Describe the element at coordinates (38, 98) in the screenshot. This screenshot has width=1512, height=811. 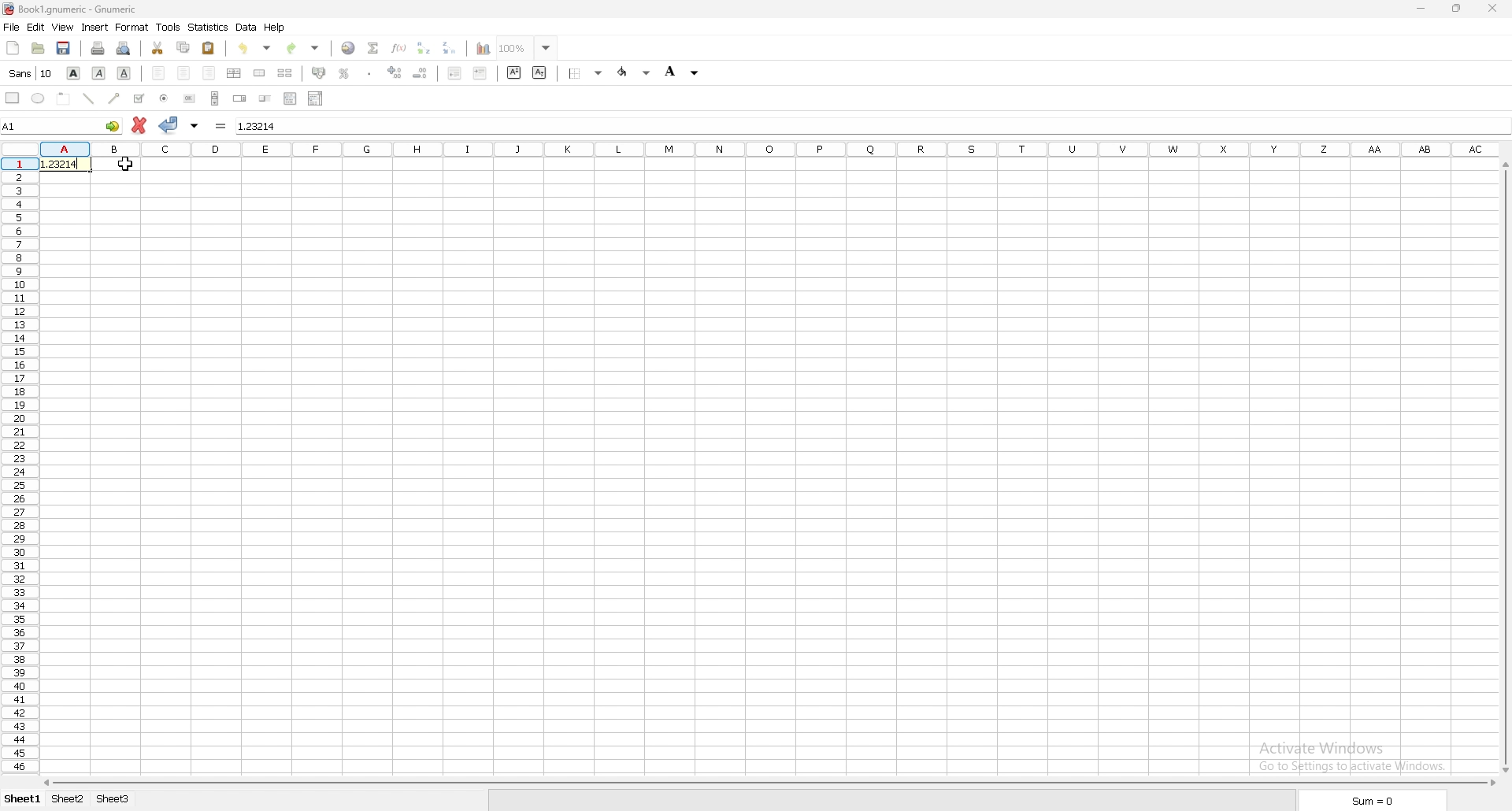
I see `ellipse` at that location.